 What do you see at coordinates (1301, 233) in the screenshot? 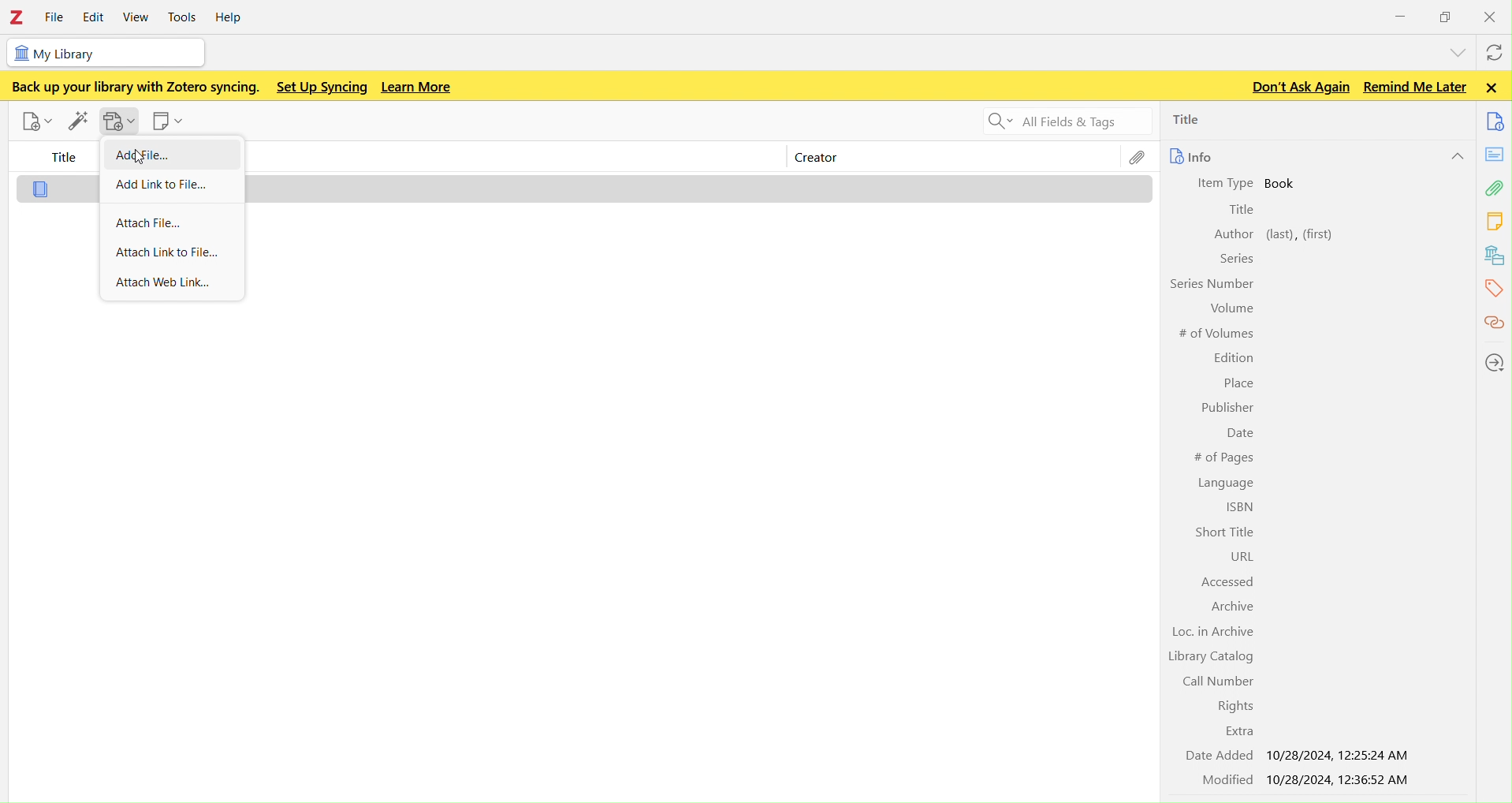
I see `left, first` at bounding box center [1301, 233].